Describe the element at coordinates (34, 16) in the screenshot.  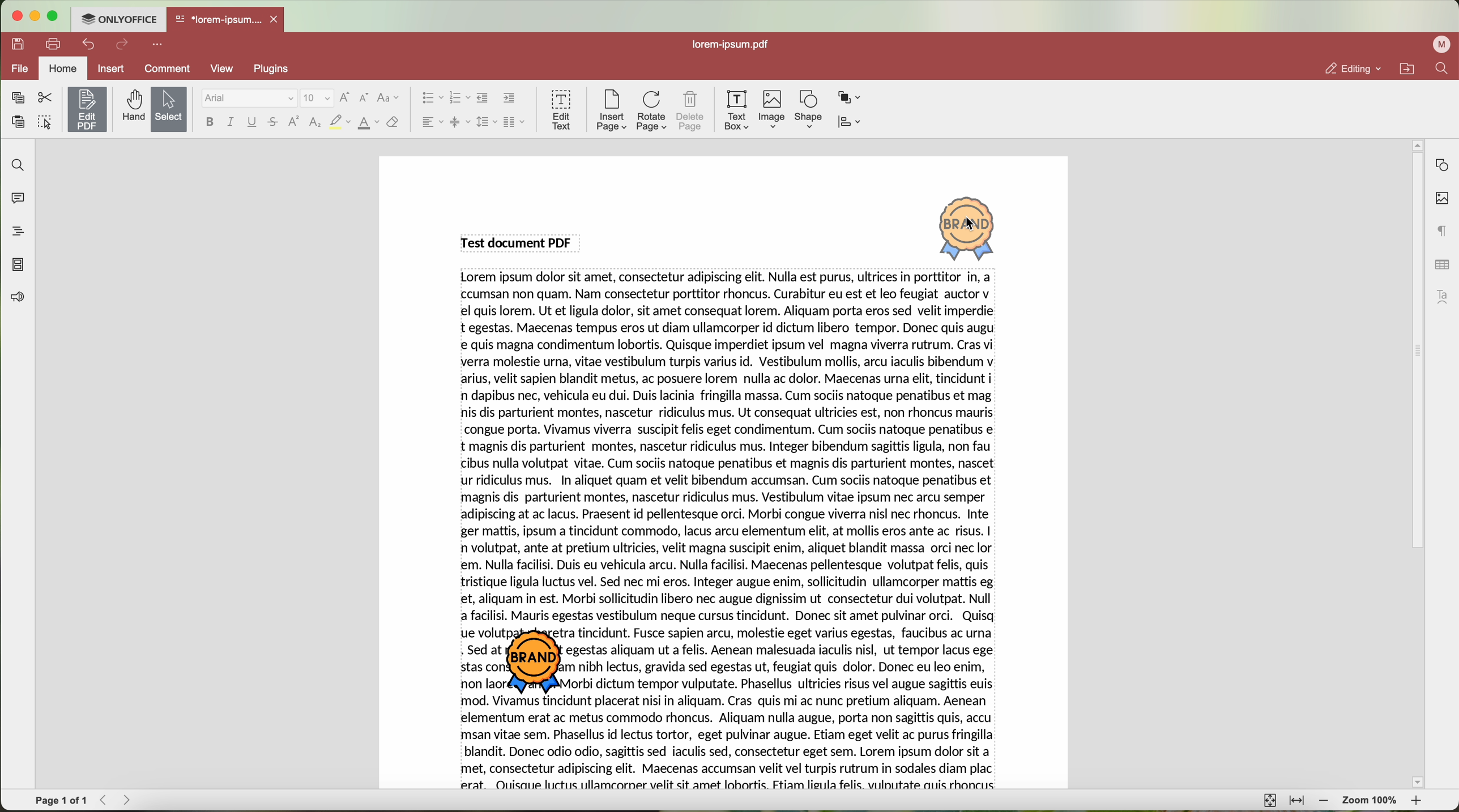
I see `minimize` at that location.